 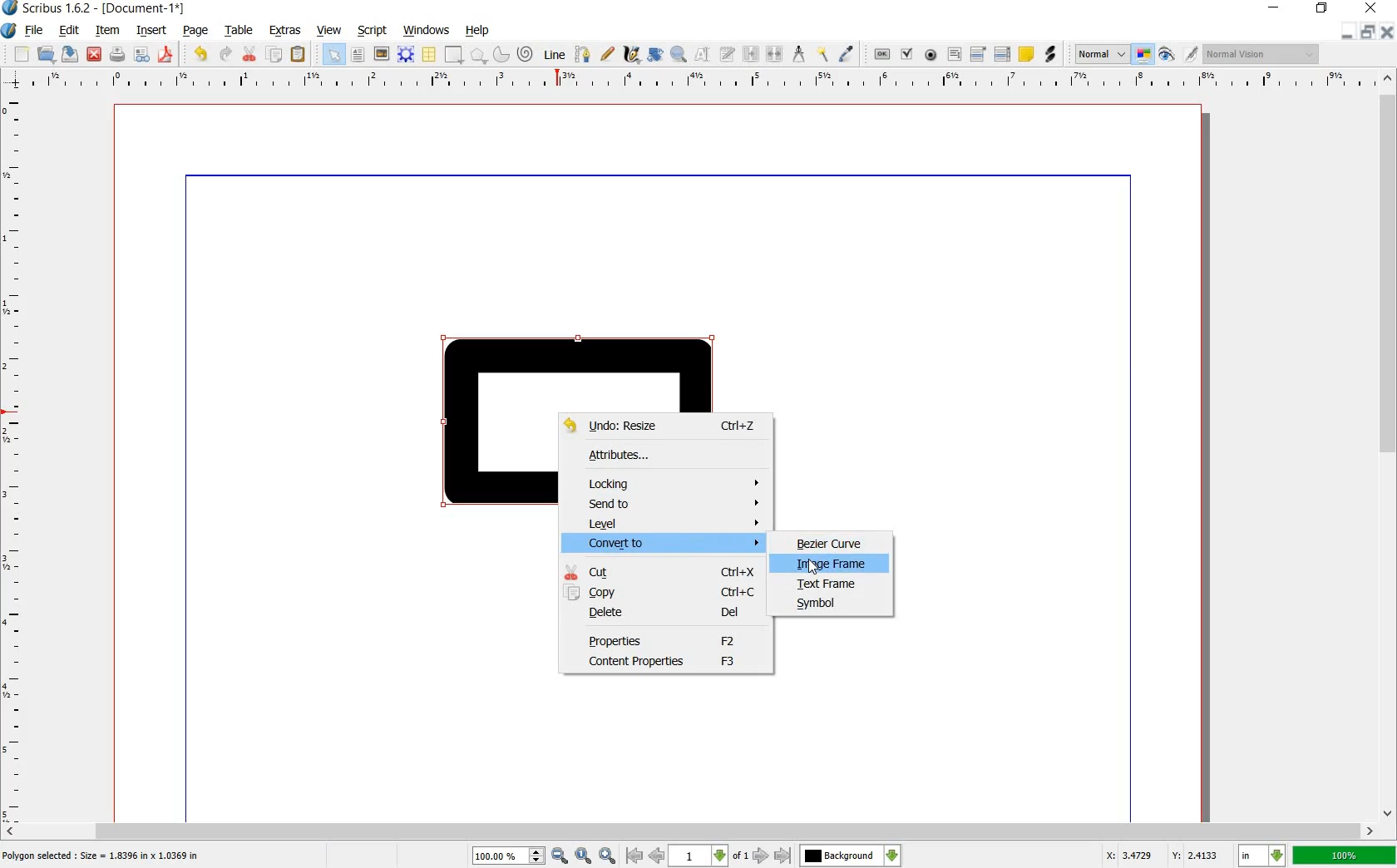 What do you see at coordinates (151, 9) in the screenshot?
I see `-[Document-1*]` at bounding box center [151, 9].